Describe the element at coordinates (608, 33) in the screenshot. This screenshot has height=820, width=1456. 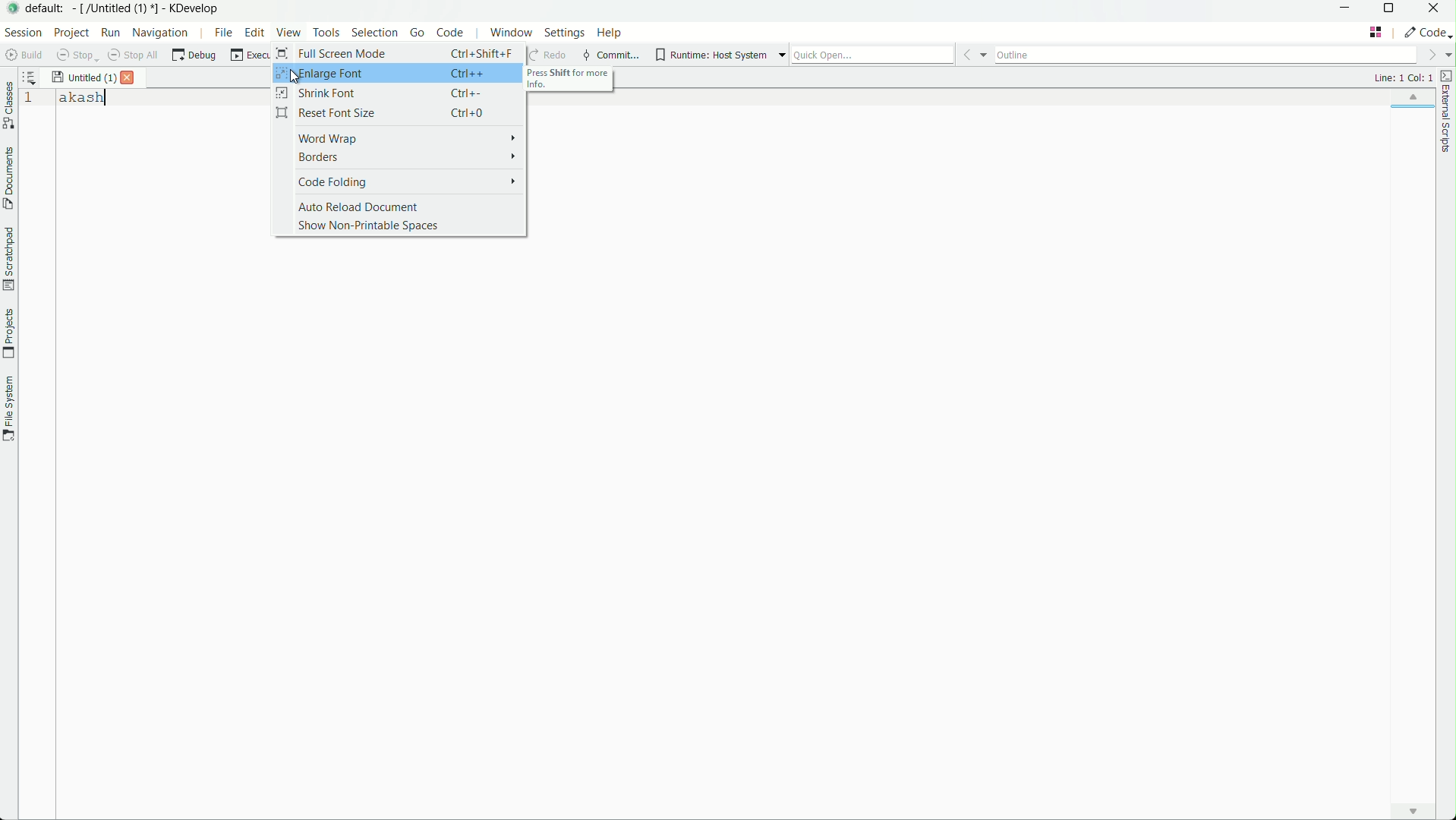
I see `help` at that location.